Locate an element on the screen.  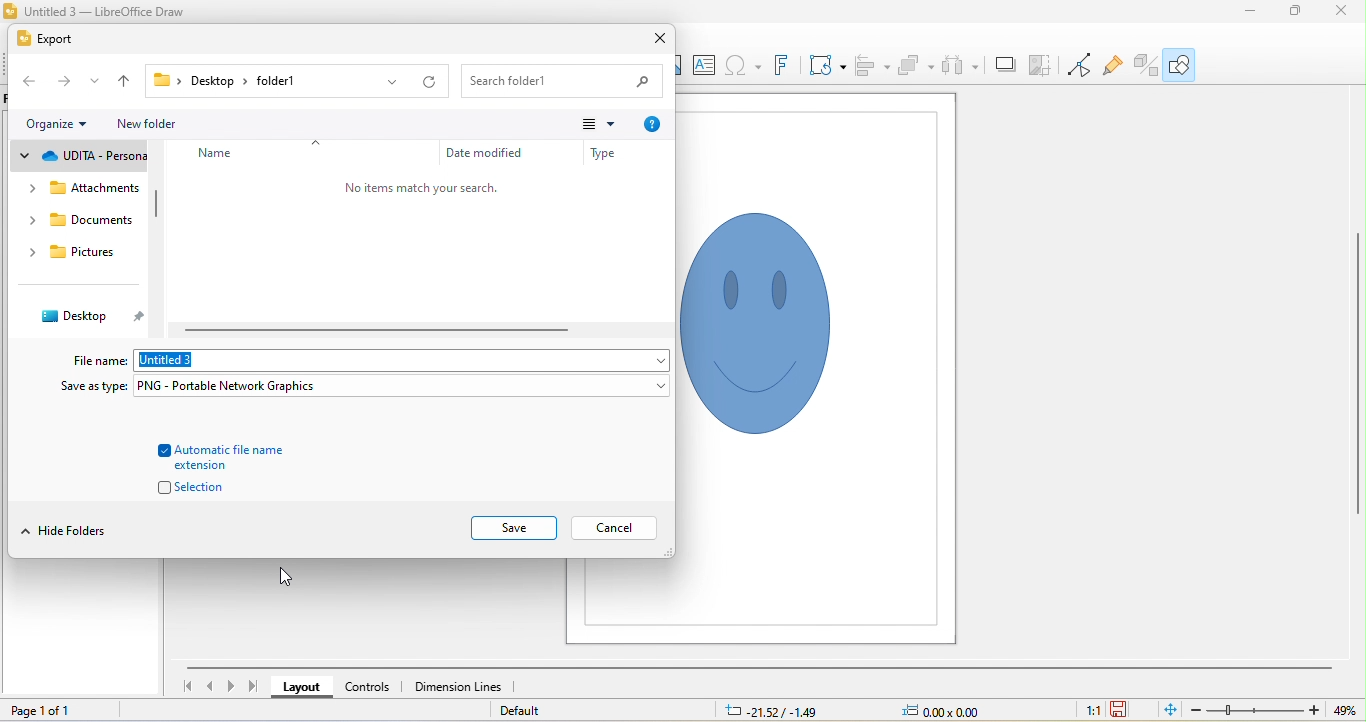
no items match your search is located at coordinates (424, 187).